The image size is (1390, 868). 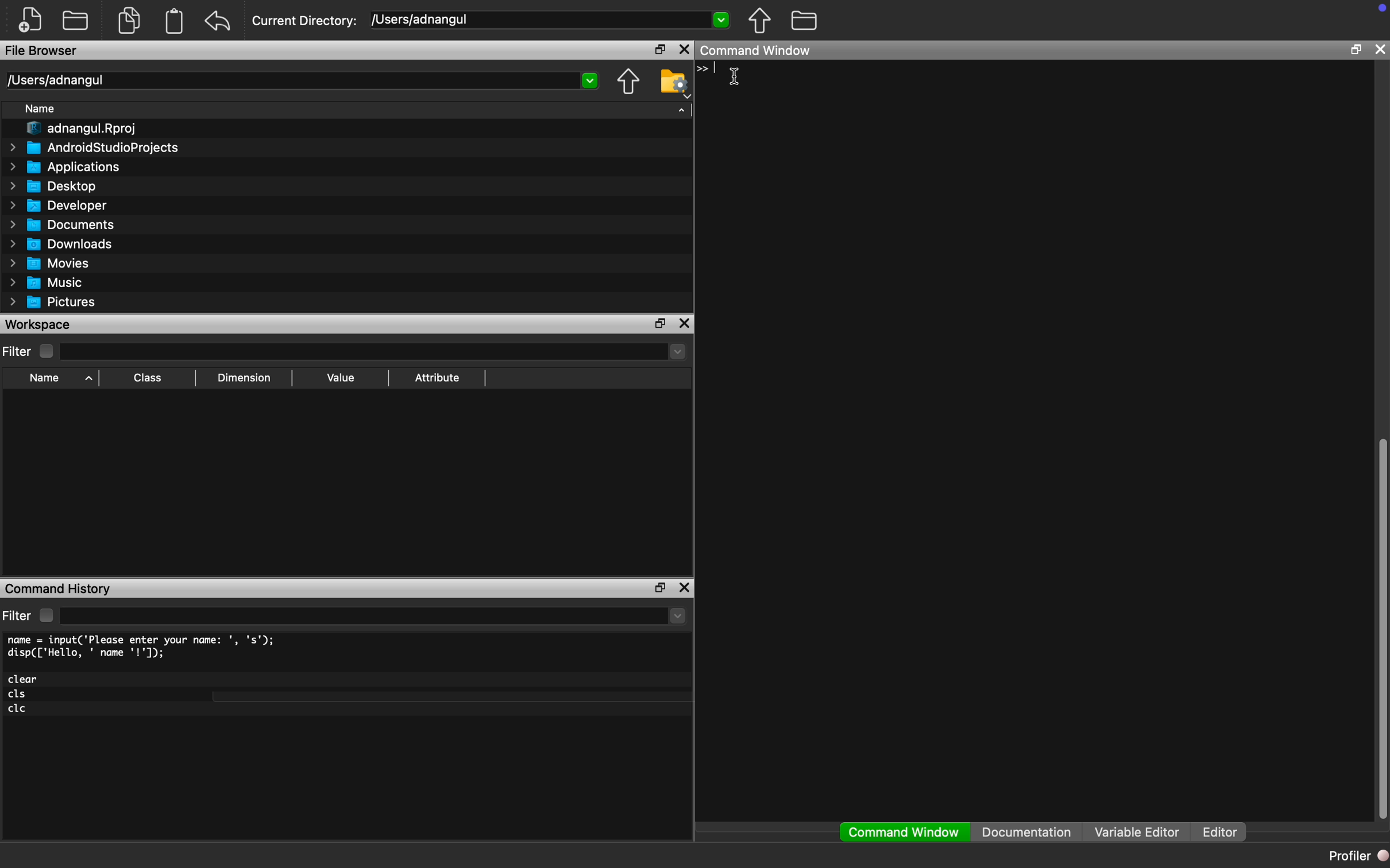 What do you see at coordinates (145, 378) in the screenshot?
I see `Class` at bounding box center [145, 378].